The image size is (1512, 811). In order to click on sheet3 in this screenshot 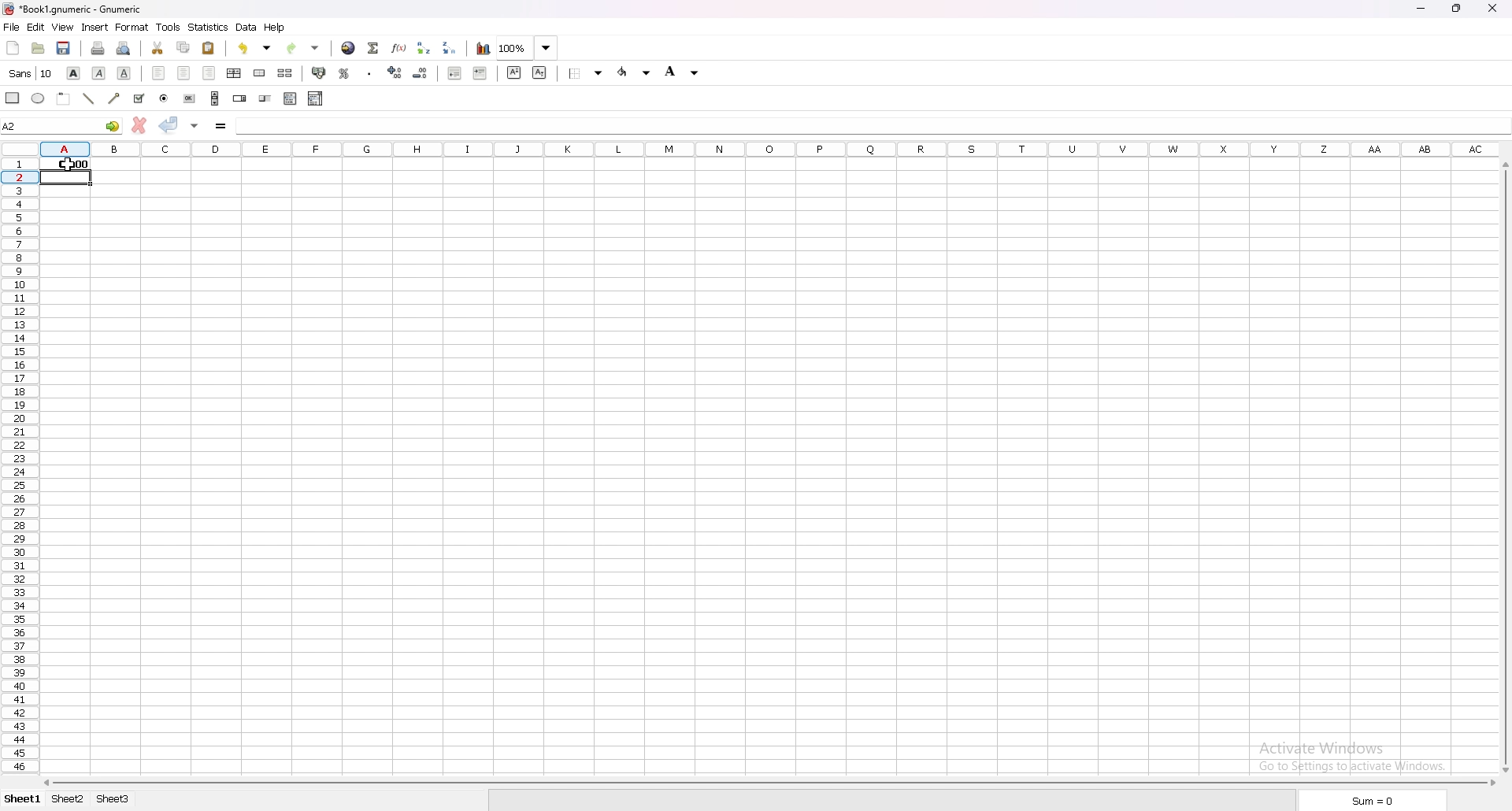, I will do `click(115, 800)`.